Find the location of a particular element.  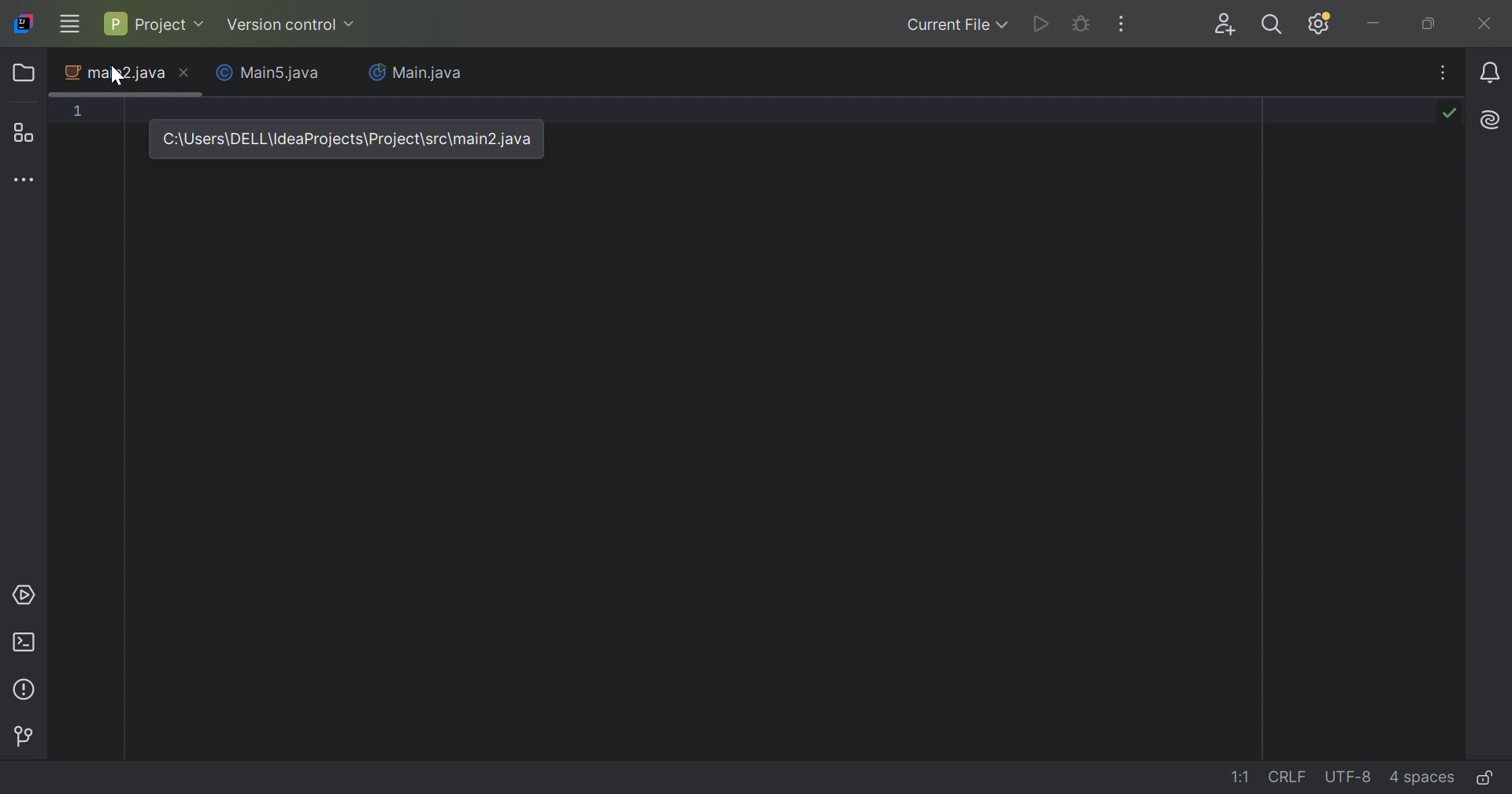

Current file is located at coordinates (957, 24).